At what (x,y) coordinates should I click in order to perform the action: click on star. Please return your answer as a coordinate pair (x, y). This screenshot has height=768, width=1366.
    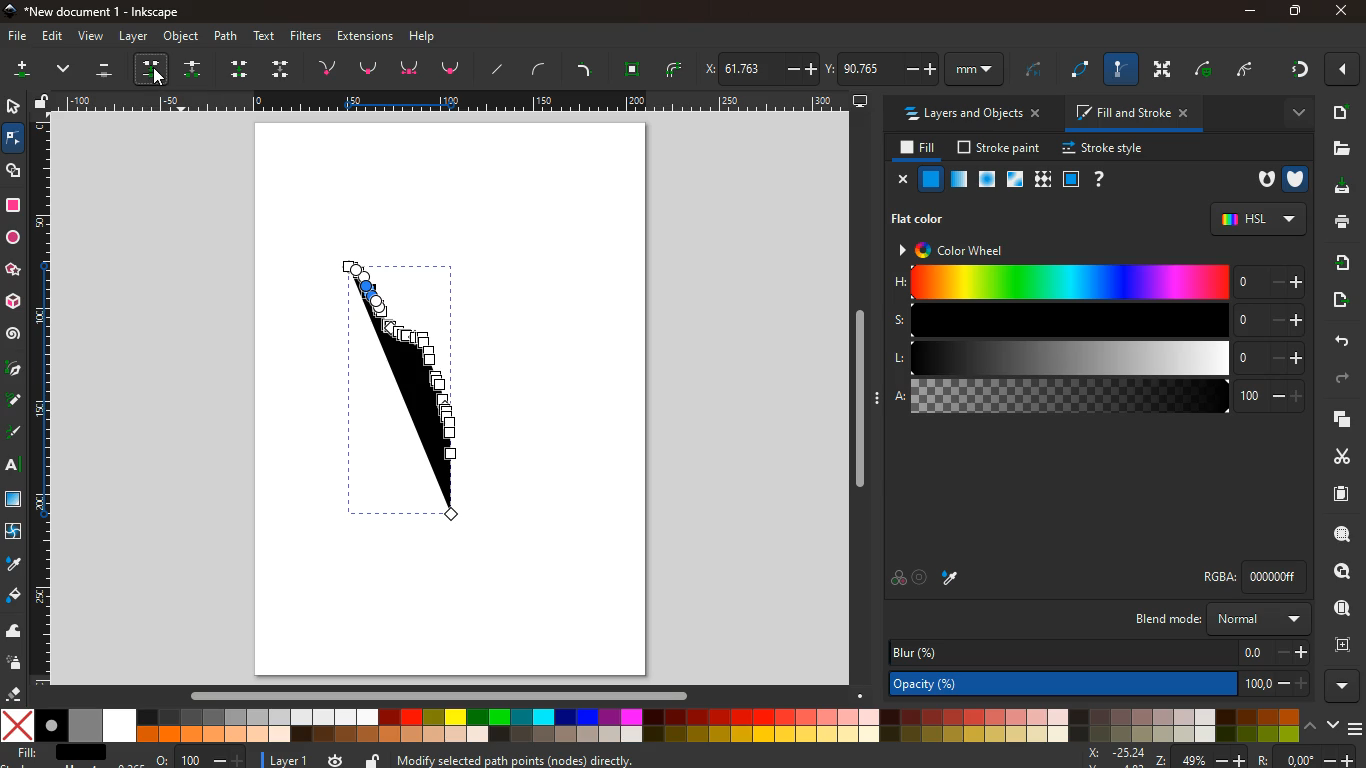
    Looking at the image, I should click on (15, 270).